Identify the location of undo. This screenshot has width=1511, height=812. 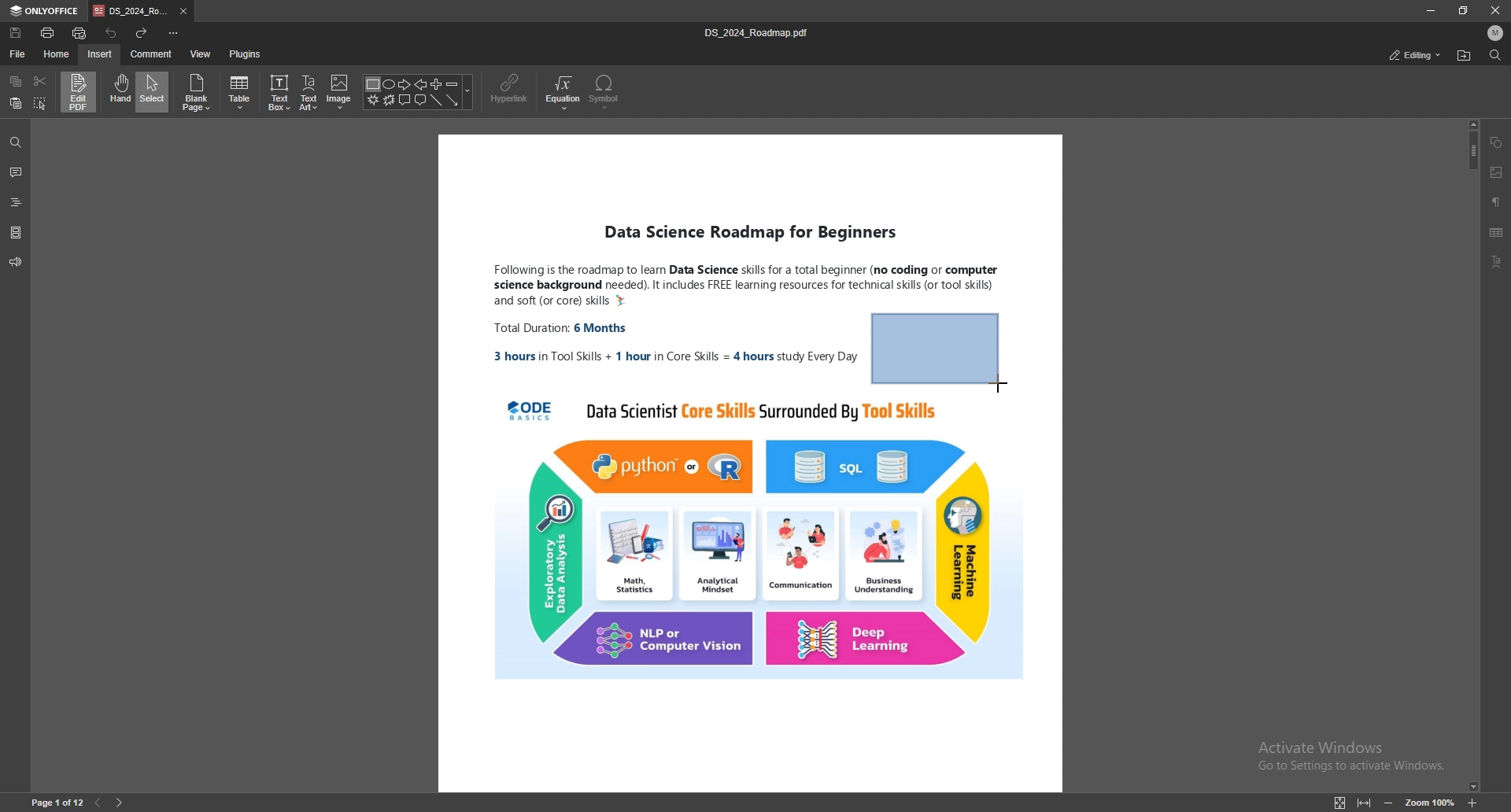
(112, 31).